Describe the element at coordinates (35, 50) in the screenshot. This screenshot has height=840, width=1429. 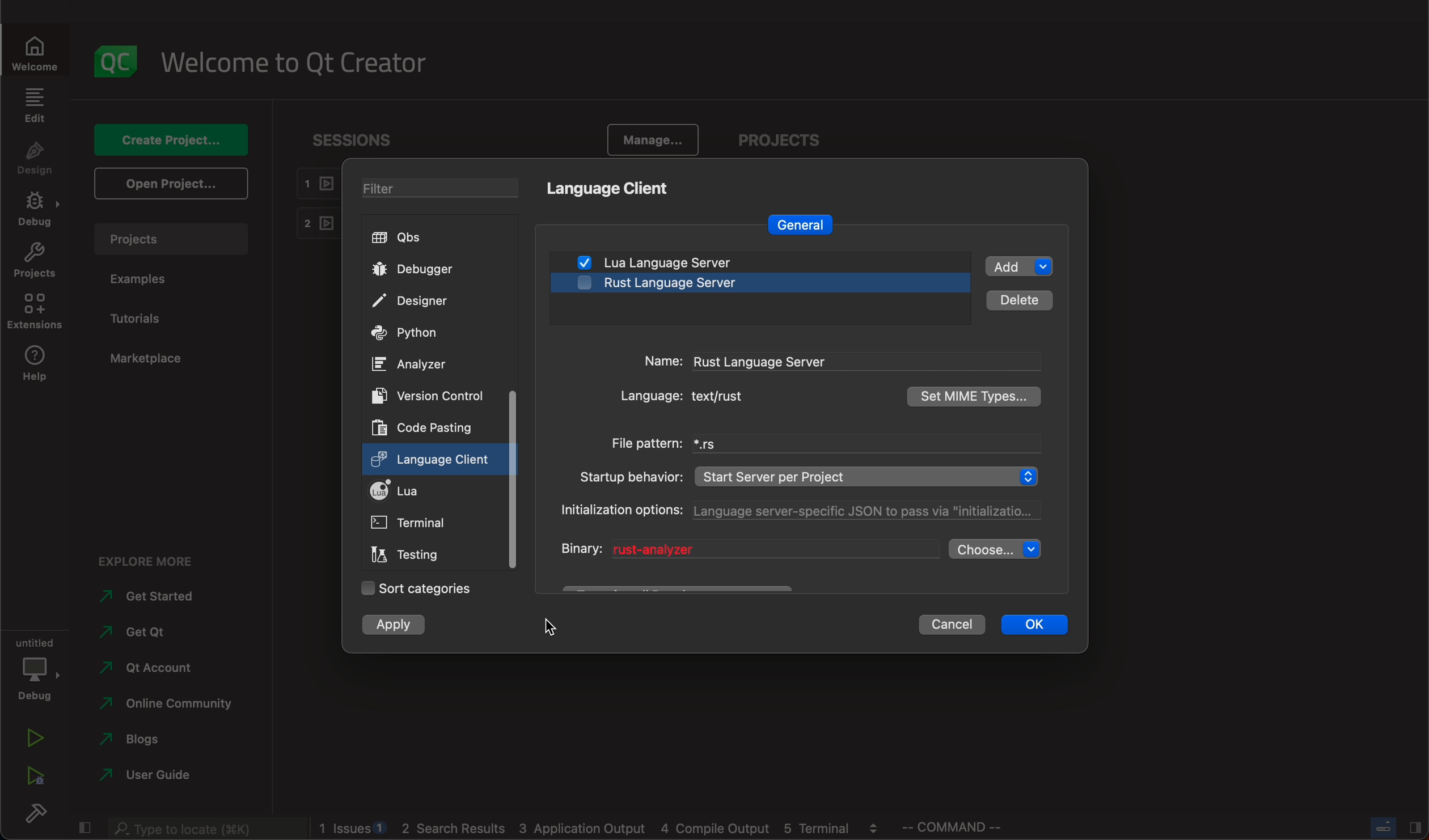
I see `welcome` at that location.